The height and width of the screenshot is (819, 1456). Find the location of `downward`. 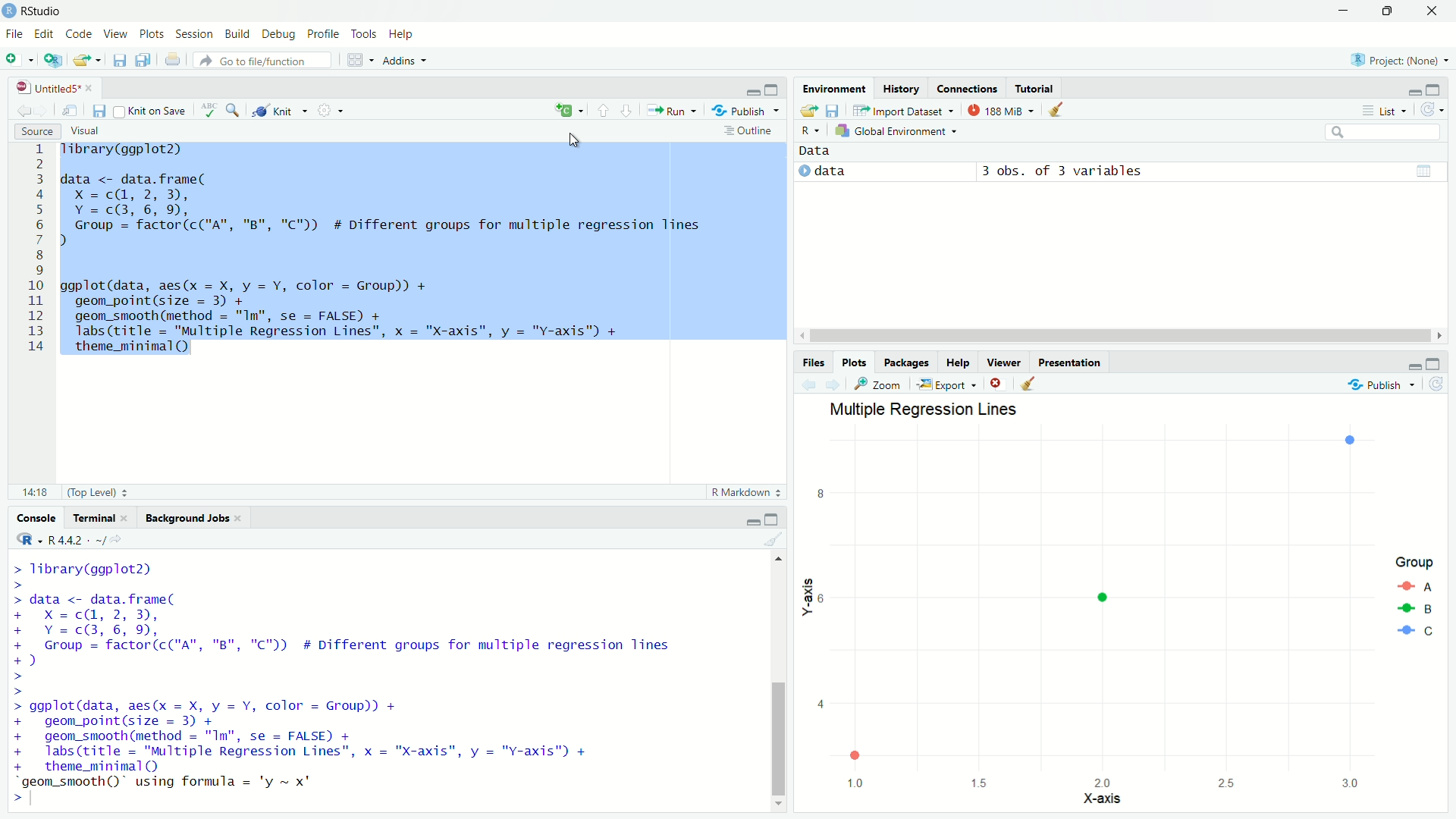

downward is located at coordinates (630, 113).